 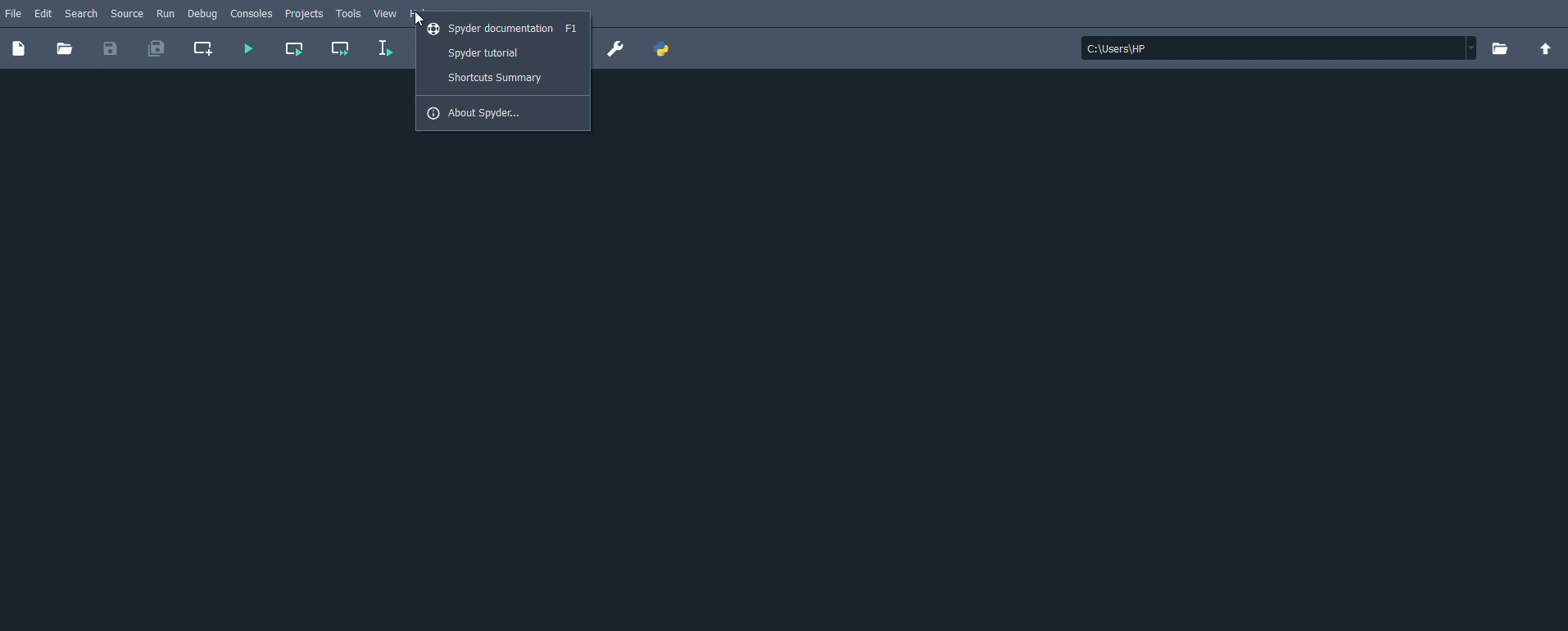 What do you see at coordinates (84, 14) in the screenshot?
I see `Search` at bounding box center [84, 14].